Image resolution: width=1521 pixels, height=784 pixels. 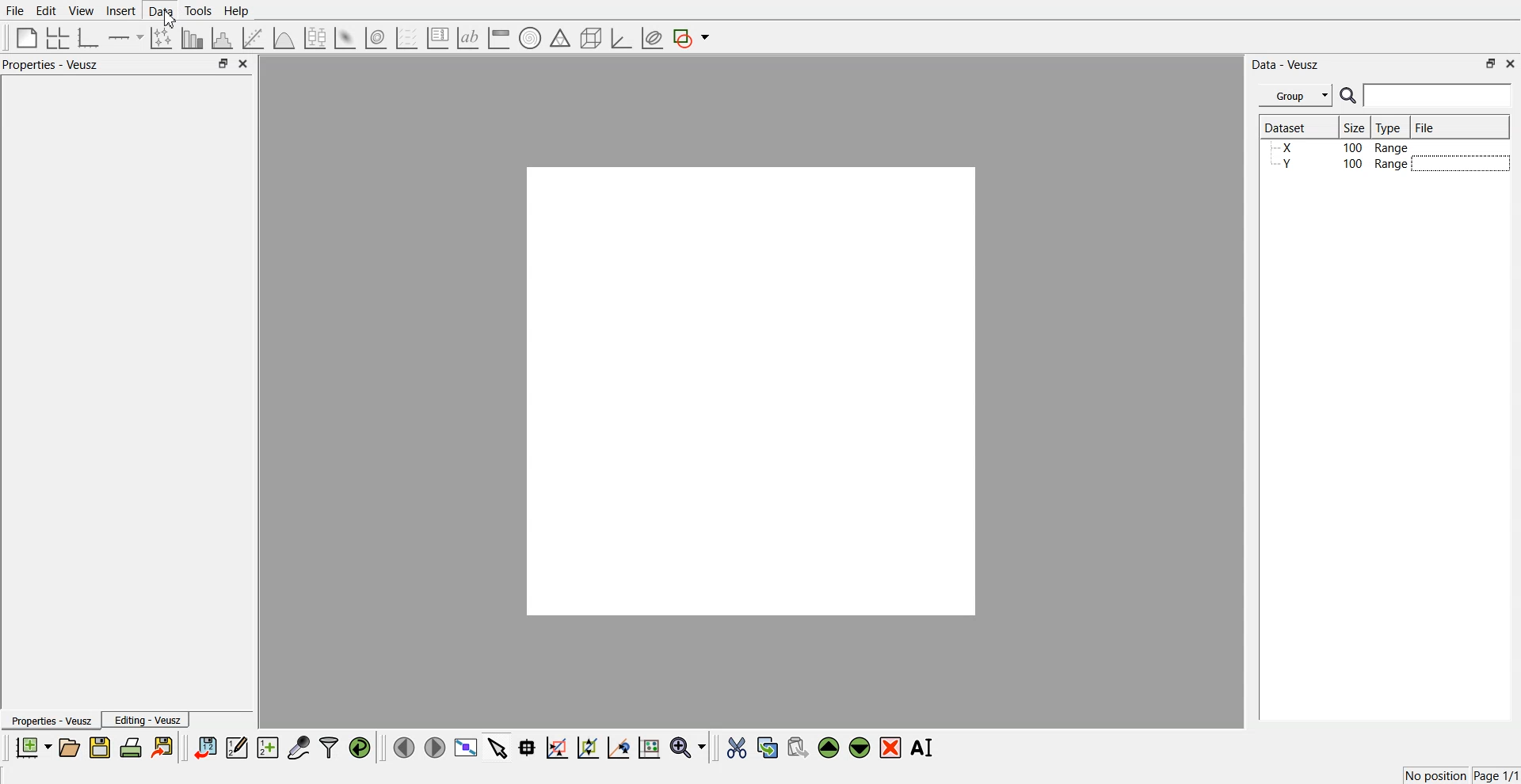 I want to click on Fit a function of data, so click(x=252, y=38).